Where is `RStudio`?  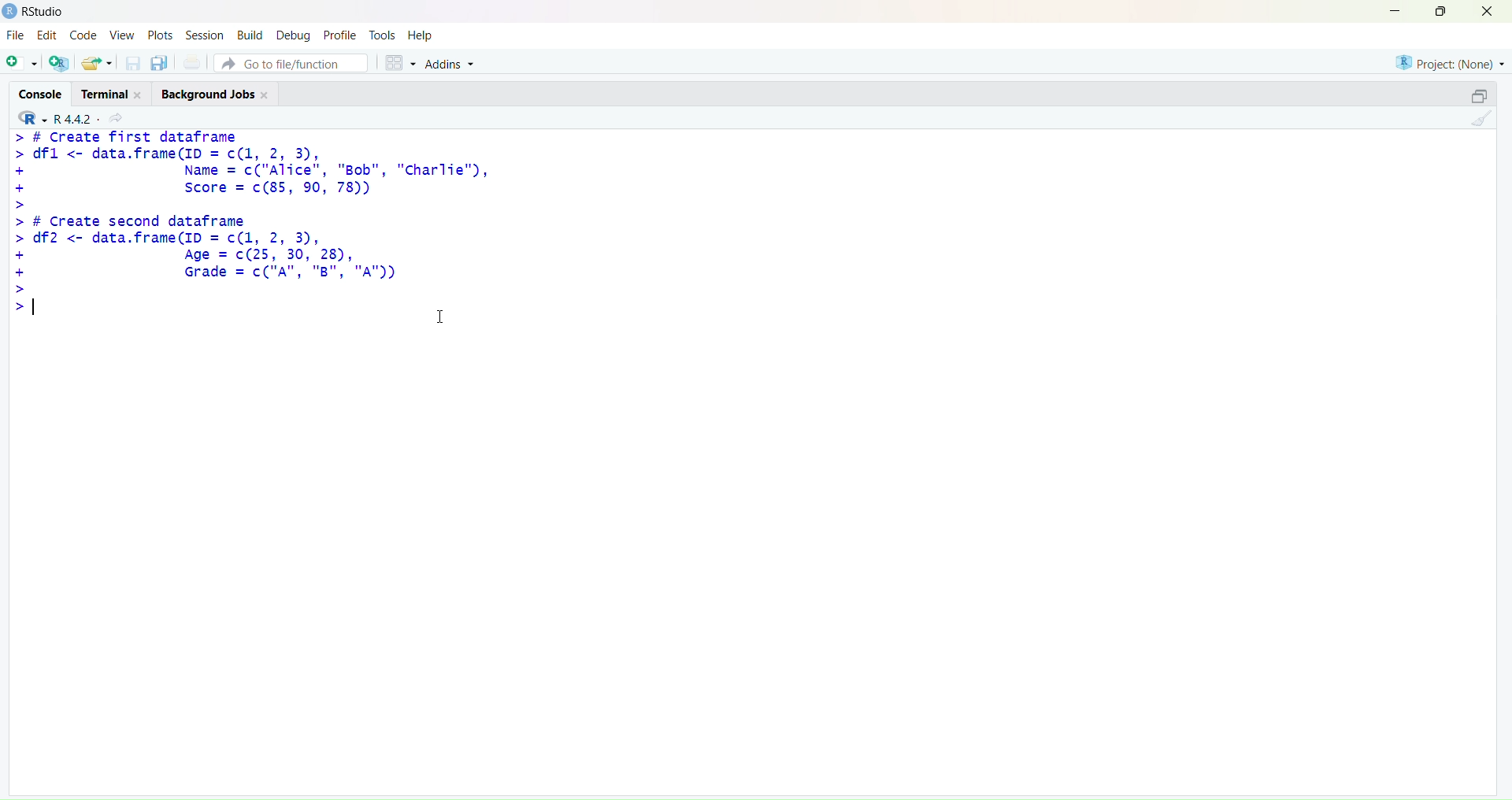 RStudio is located at coordinates (45, 12).